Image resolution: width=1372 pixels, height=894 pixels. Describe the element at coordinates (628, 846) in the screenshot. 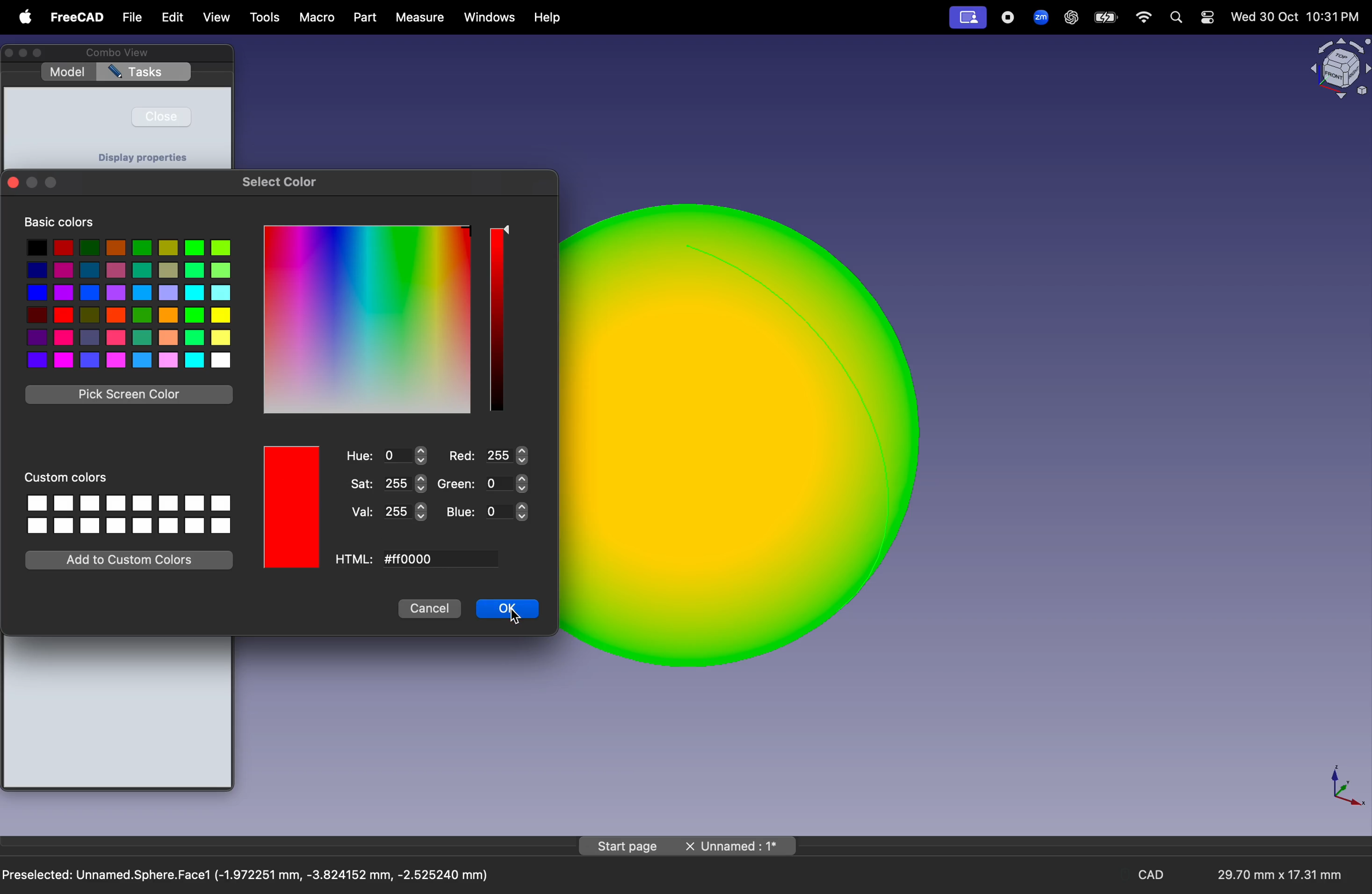

I see `start page` at that location.